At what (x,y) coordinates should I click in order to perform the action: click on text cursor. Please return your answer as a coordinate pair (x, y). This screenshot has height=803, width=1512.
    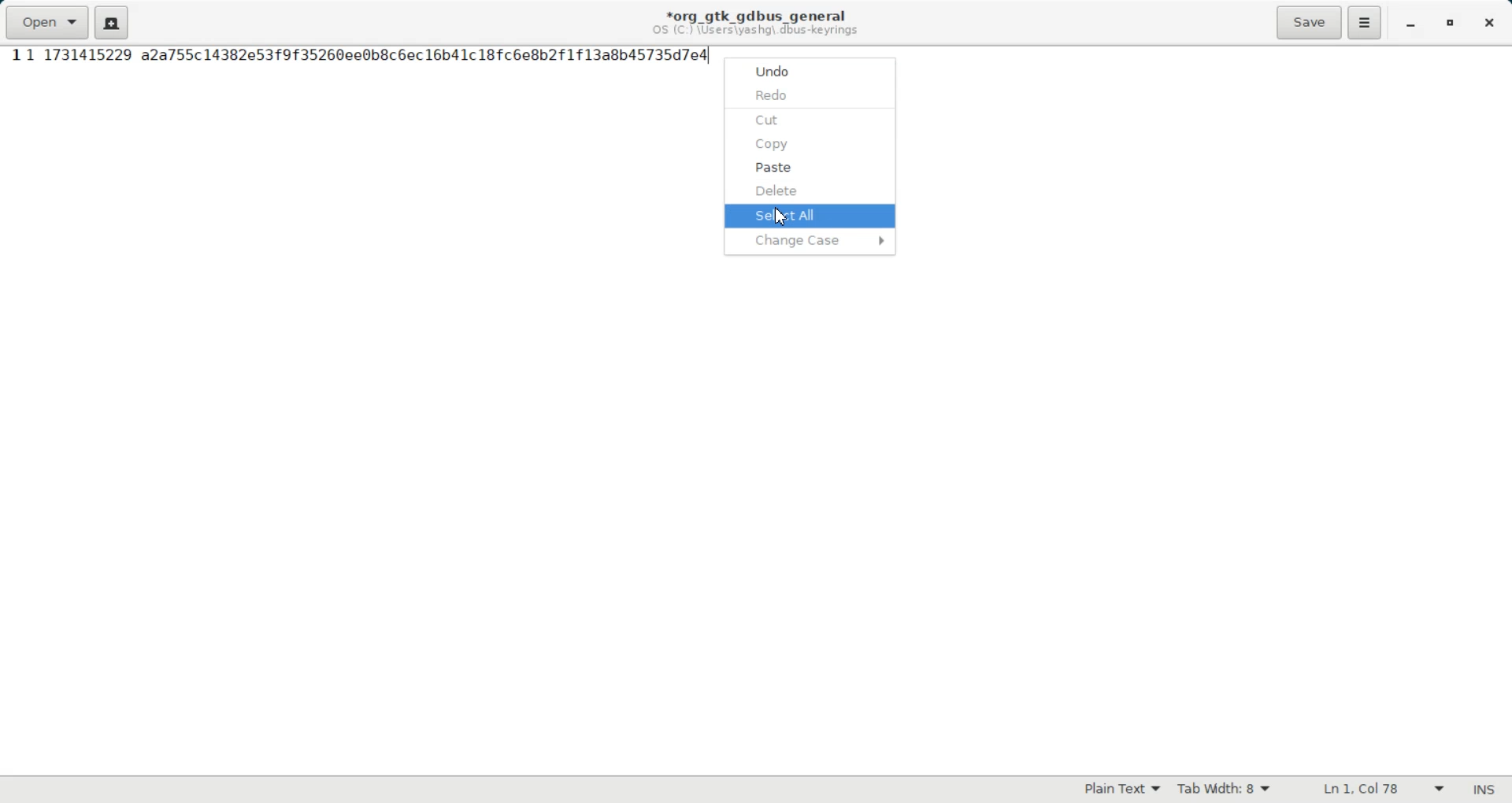
    Looking at the image, I should click on (710, 57).